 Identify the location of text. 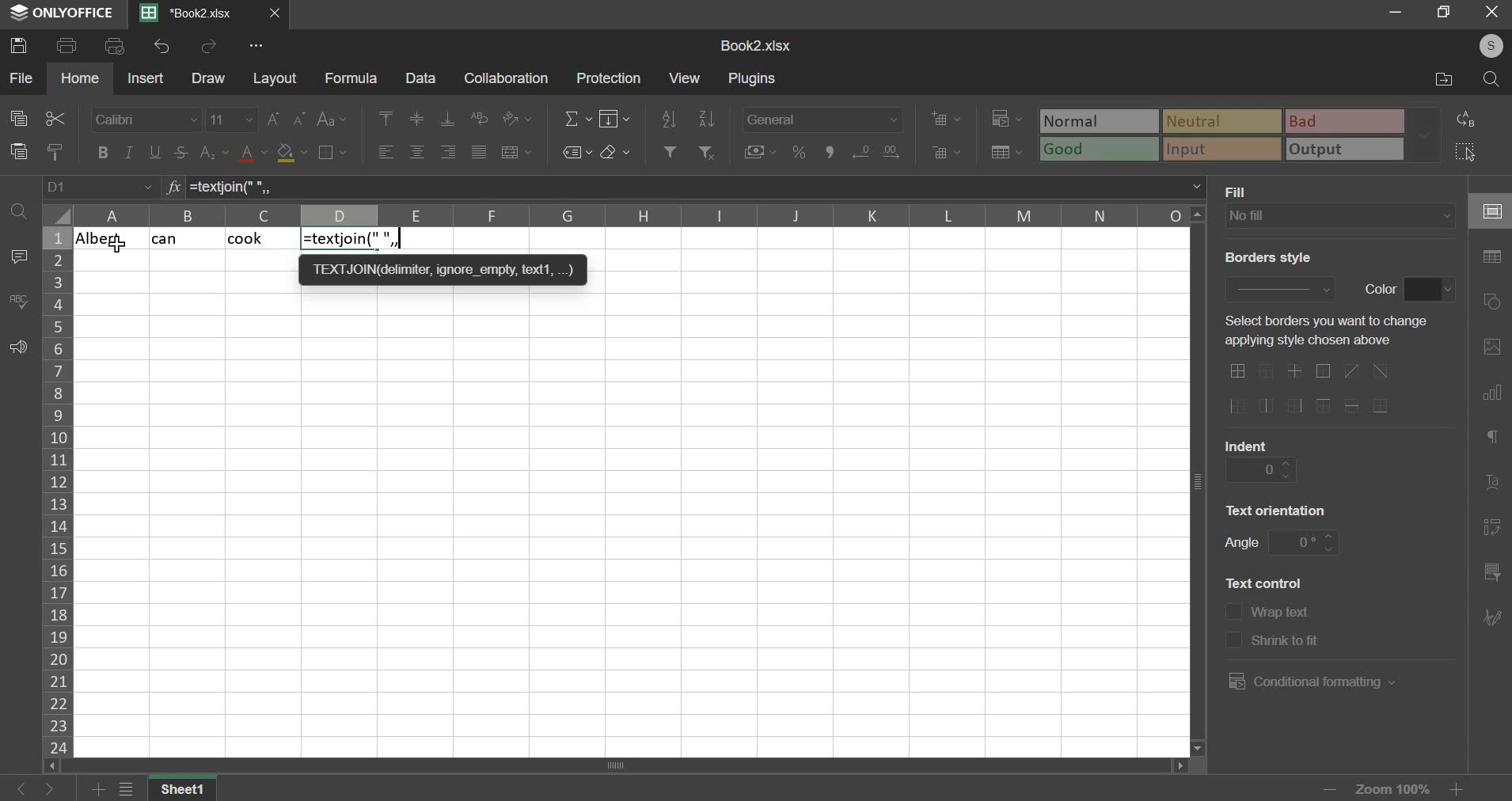
(1241, 545).